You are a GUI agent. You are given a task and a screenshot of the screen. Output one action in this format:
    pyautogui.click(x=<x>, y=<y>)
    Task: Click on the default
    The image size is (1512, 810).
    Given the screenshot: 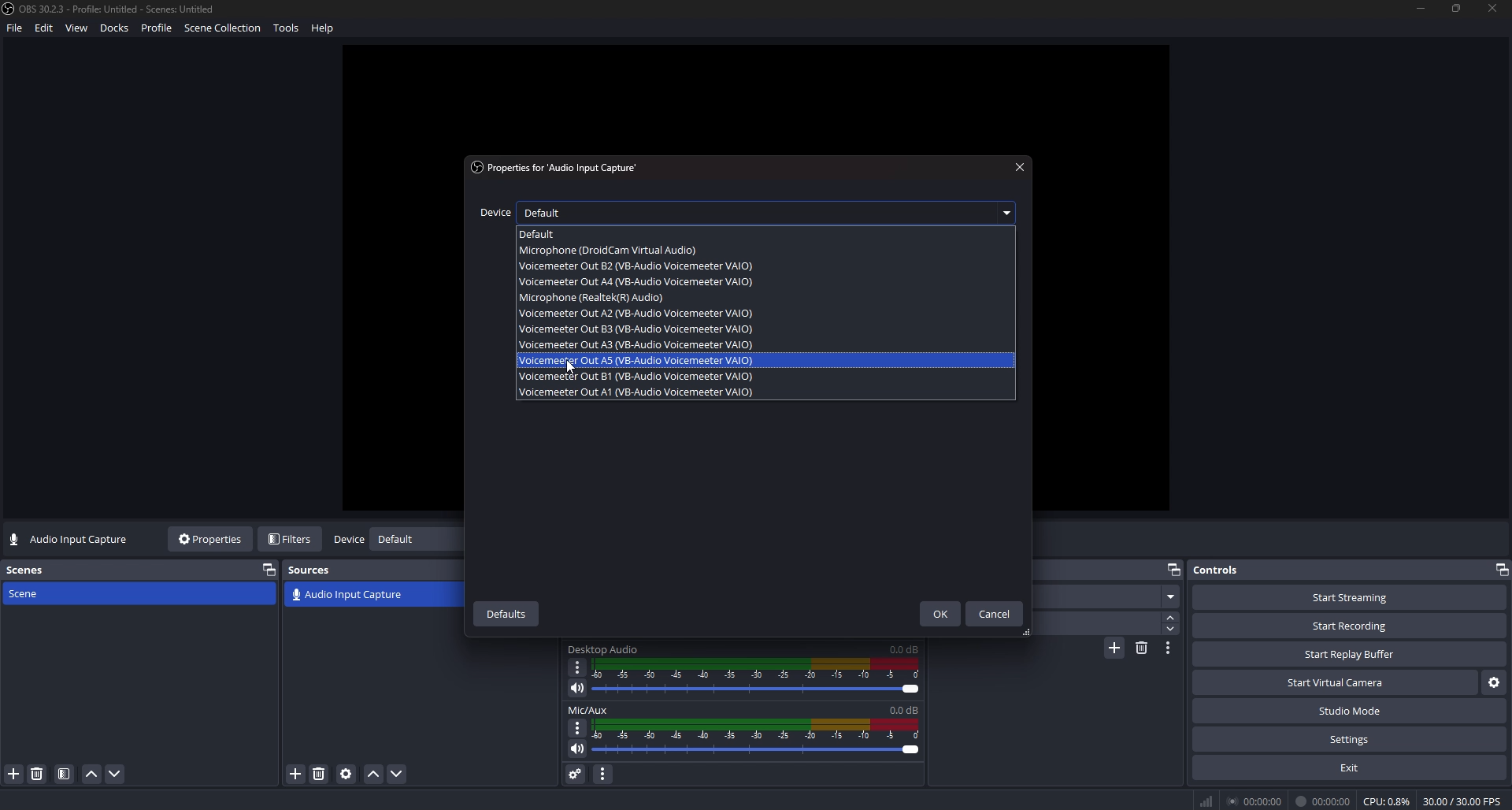 What is the action you would take?
    pyautogui.click(x=556, y=232)
    